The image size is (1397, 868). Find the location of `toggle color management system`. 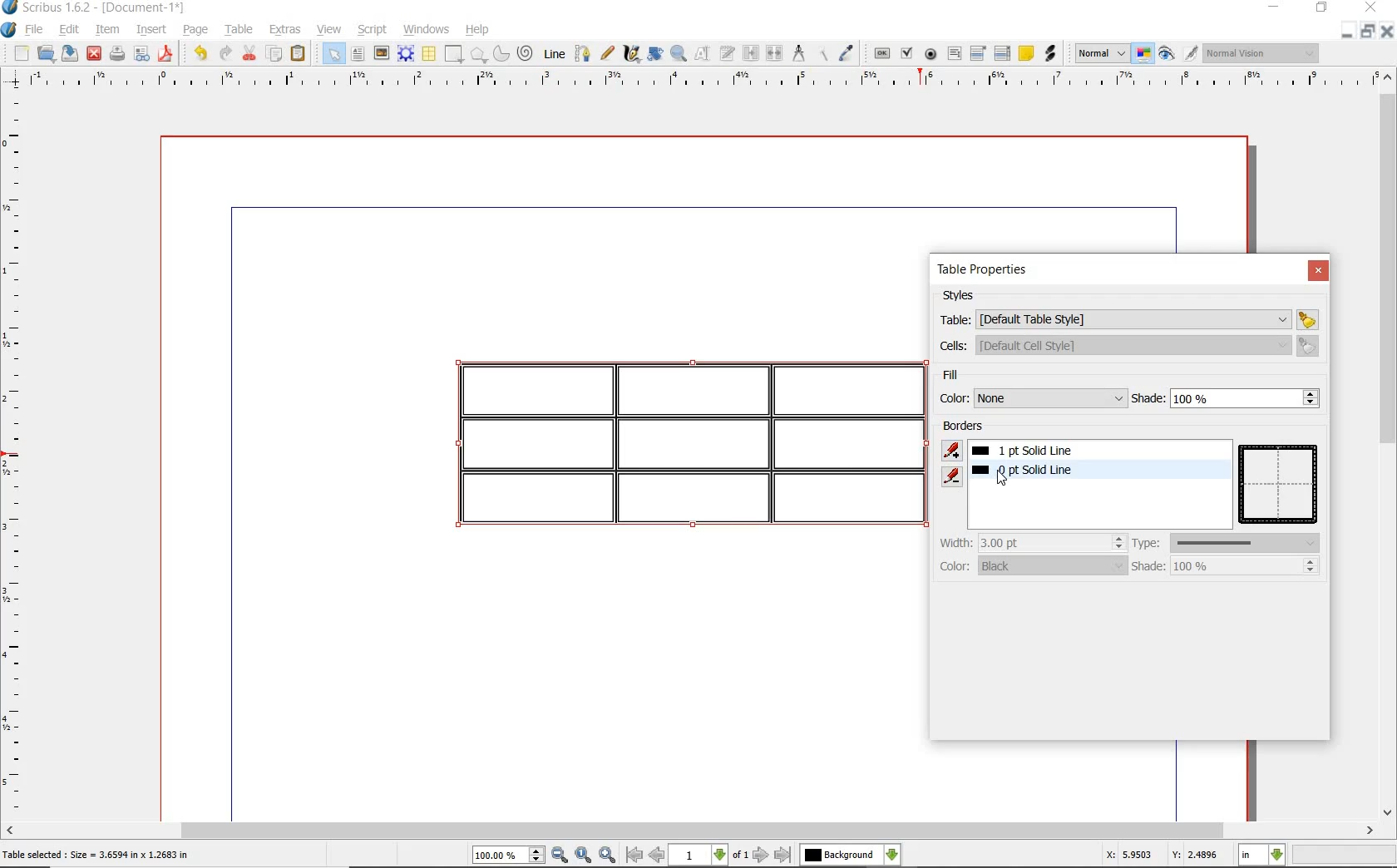

toggle color management system is located at coordinates (1140, 52).